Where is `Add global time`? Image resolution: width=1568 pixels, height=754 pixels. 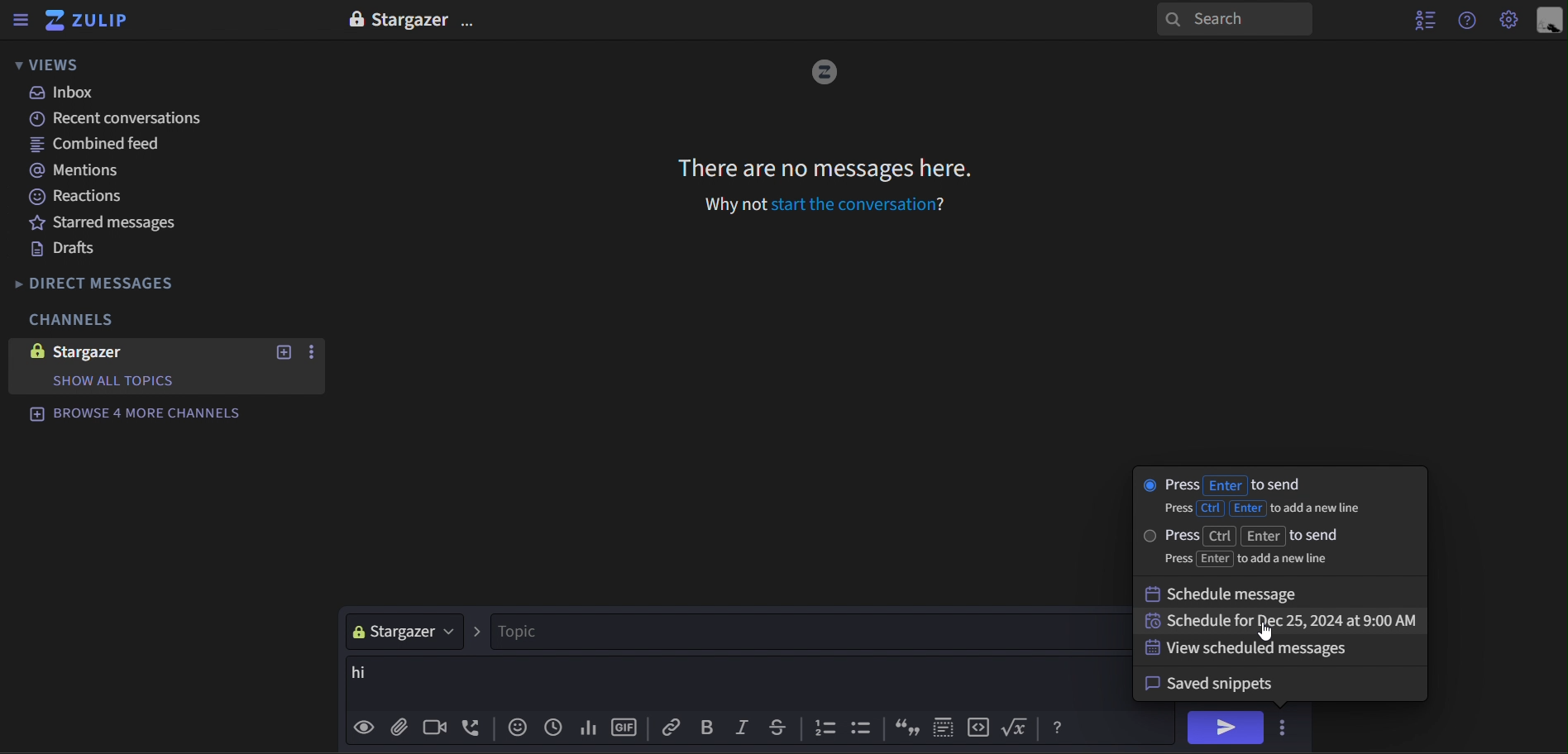 Add global time is located at coordinates (551, 728).